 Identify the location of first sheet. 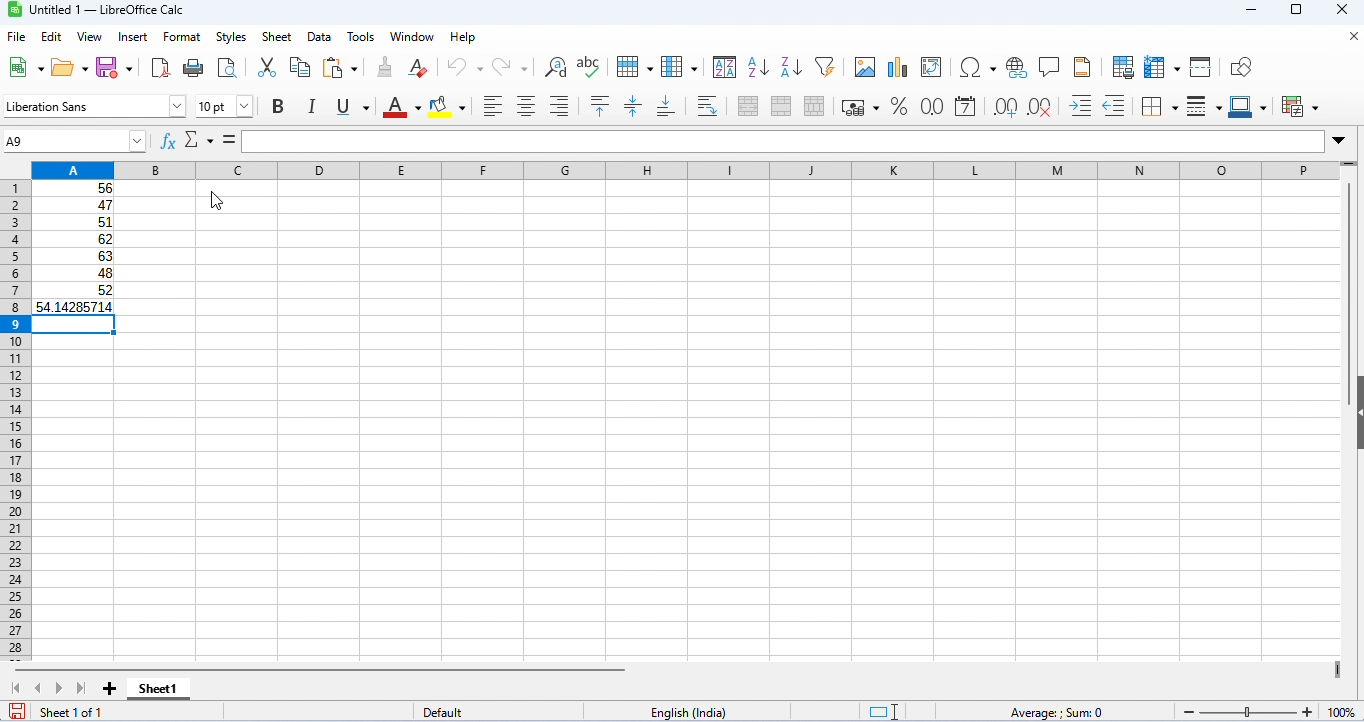
(20, 688).